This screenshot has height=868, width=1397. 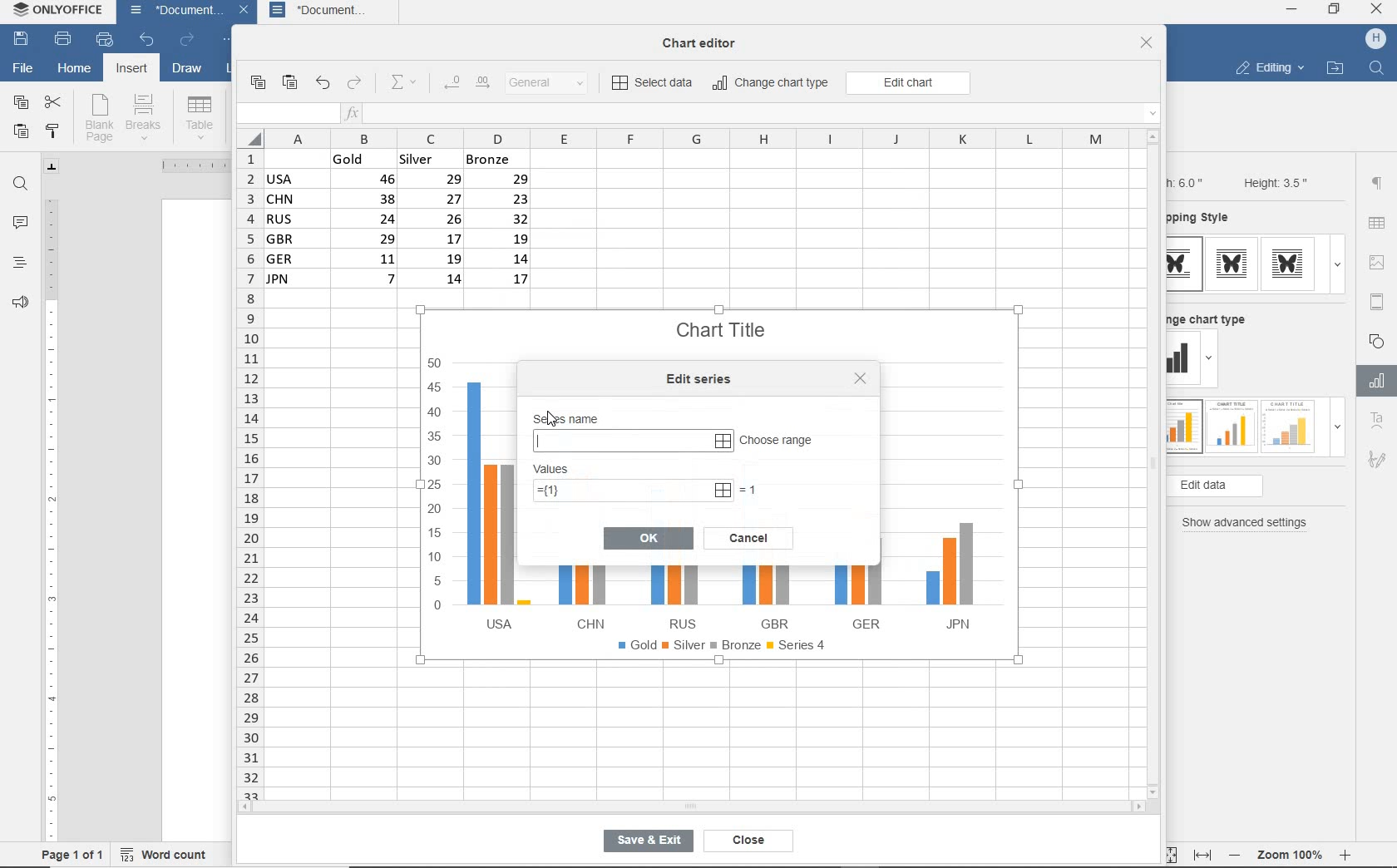 What do you see at coordinates (436, 486) in the screenshot?
I see `y axis values` at bounding box center [436, 486].